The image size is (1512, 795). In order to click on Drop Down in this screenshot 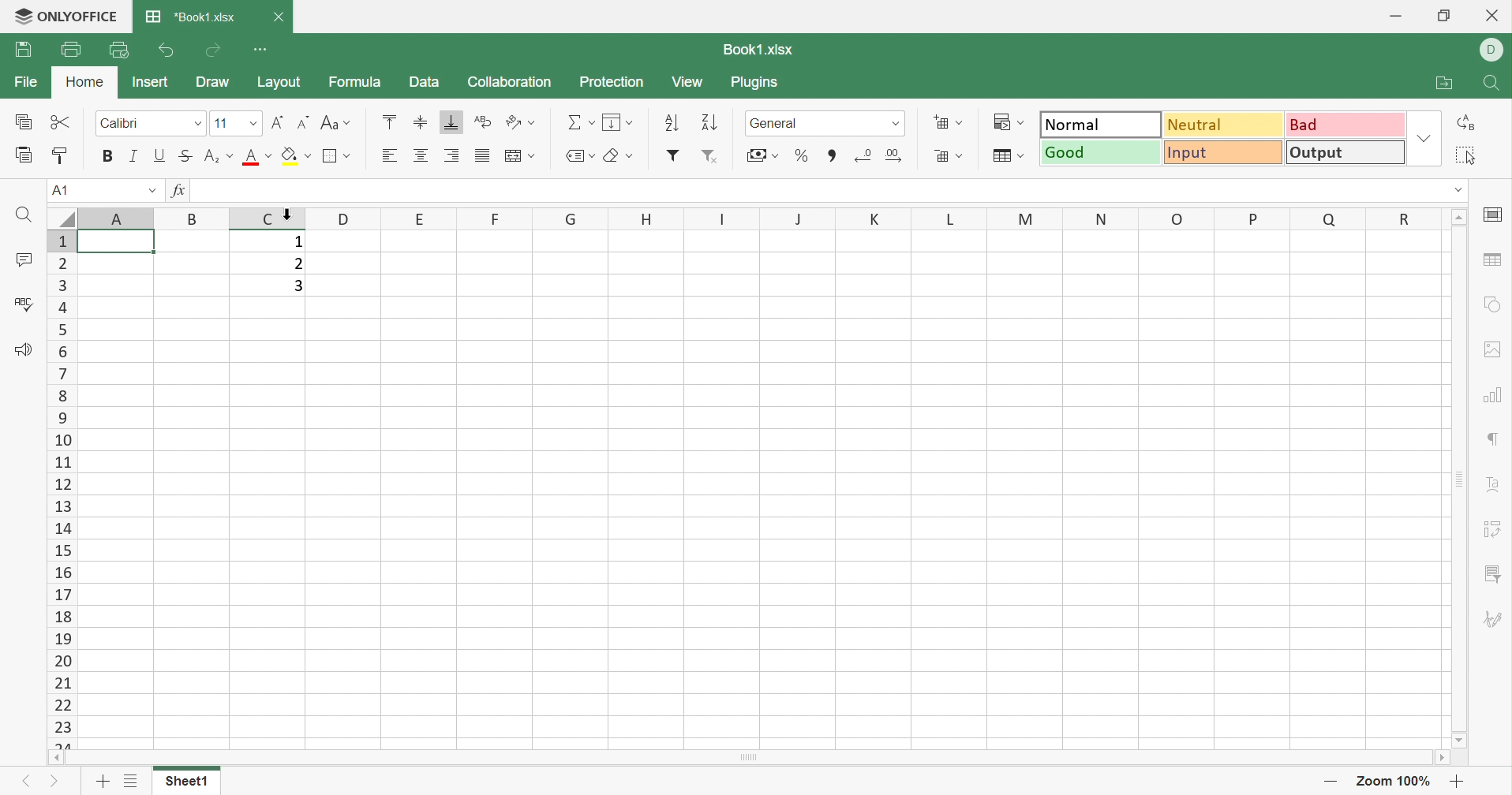, I will do `click(631, 124)`.